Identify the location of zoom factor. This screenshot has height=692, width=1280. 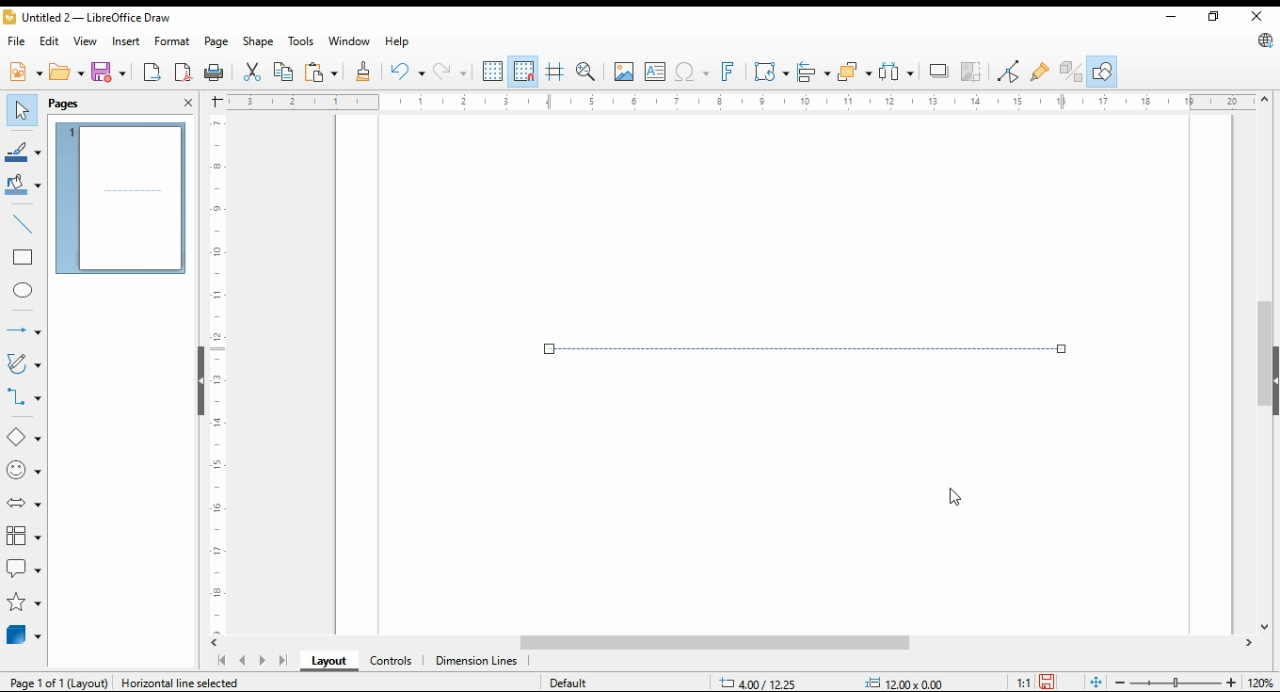
(1262, 683).